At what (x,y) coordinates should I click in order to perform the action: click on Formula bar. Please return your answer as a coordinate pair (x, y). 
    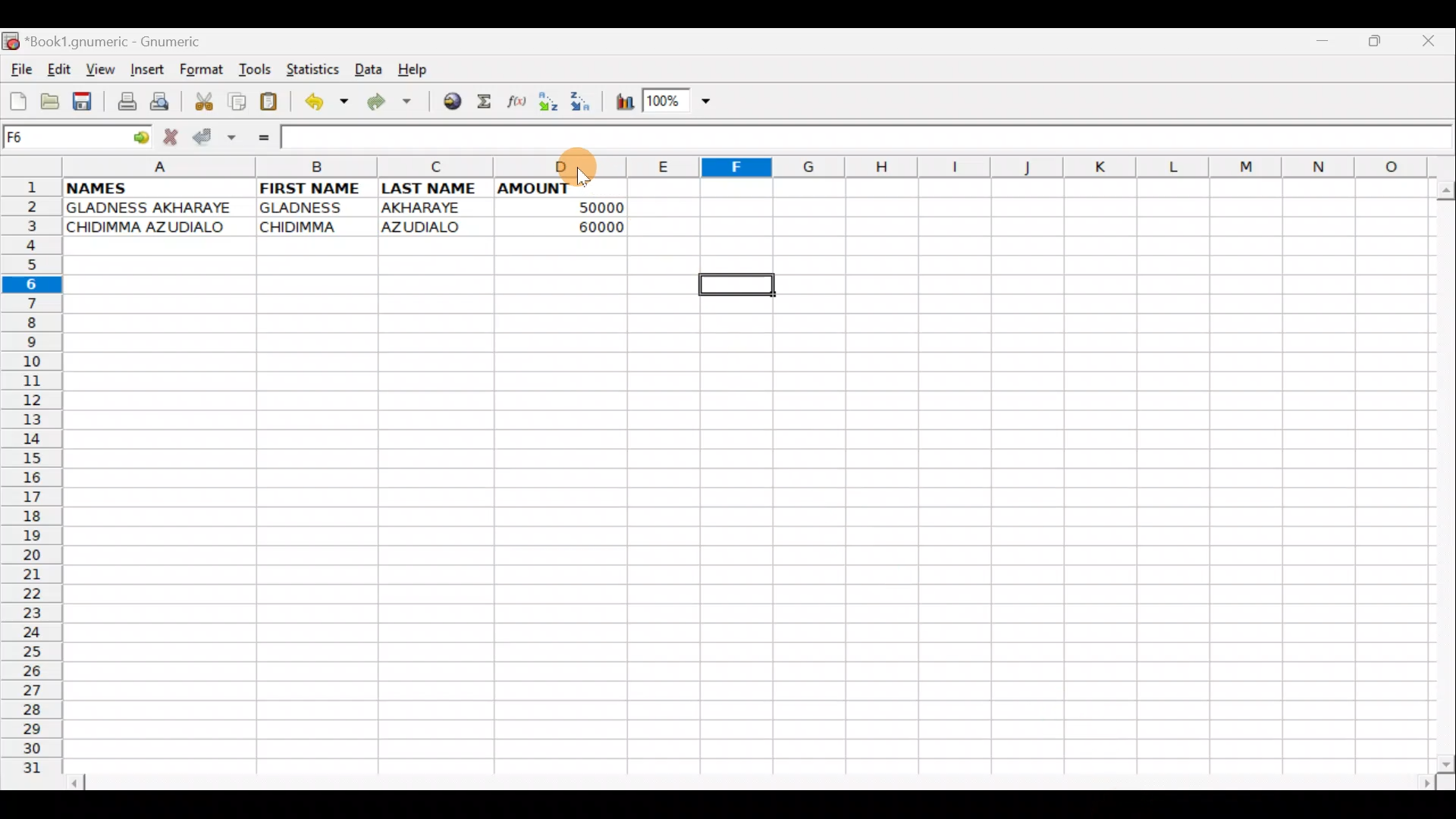
    Looking at the image, I should click on (872, 137).